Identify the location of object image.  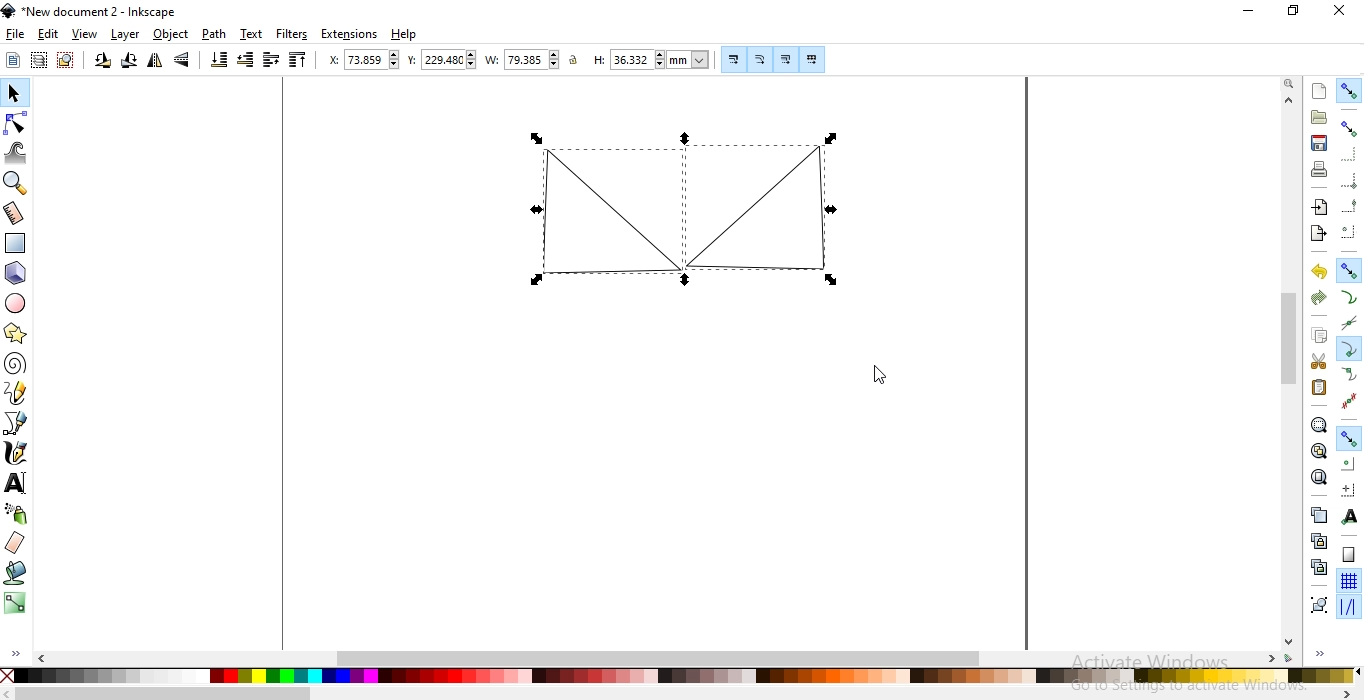
(766, 216).